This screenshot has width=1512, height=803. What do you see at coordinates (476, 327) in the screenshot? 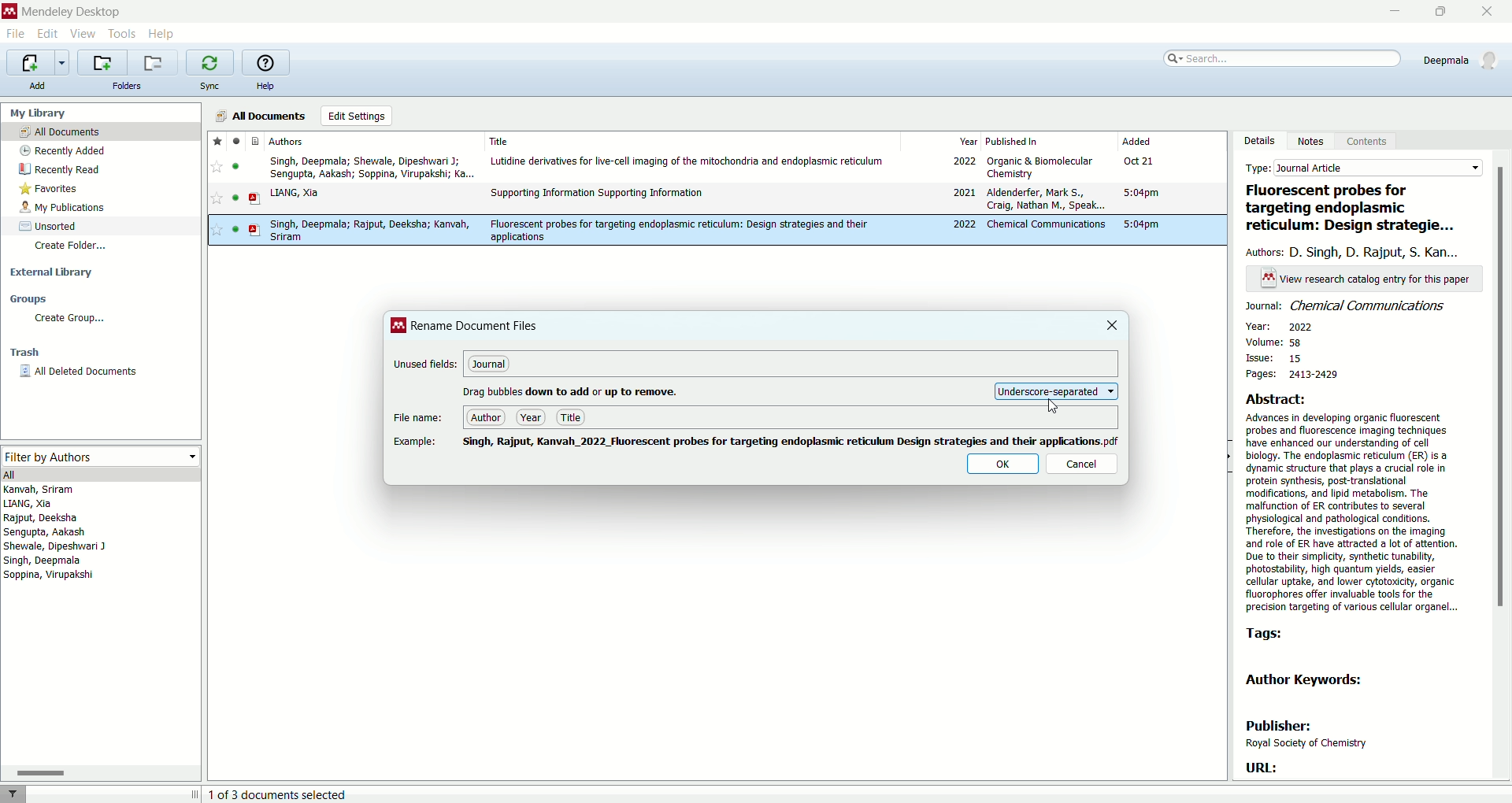
I see `rename document files` at bounding box center [476, 327].